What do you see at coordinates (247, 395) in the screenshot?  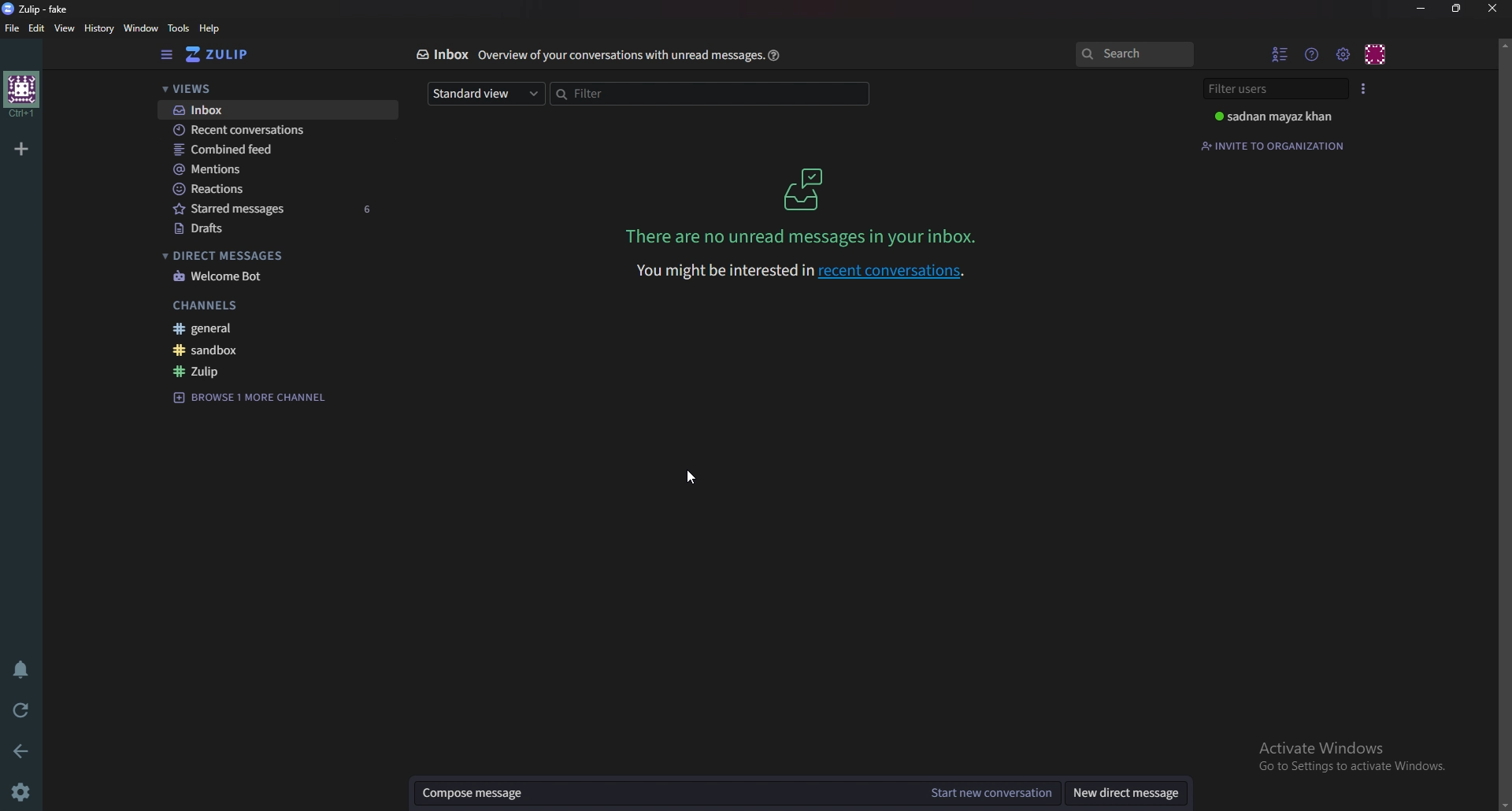 I see `Browse 1 More Channel ` at bounding box center [247, 395].